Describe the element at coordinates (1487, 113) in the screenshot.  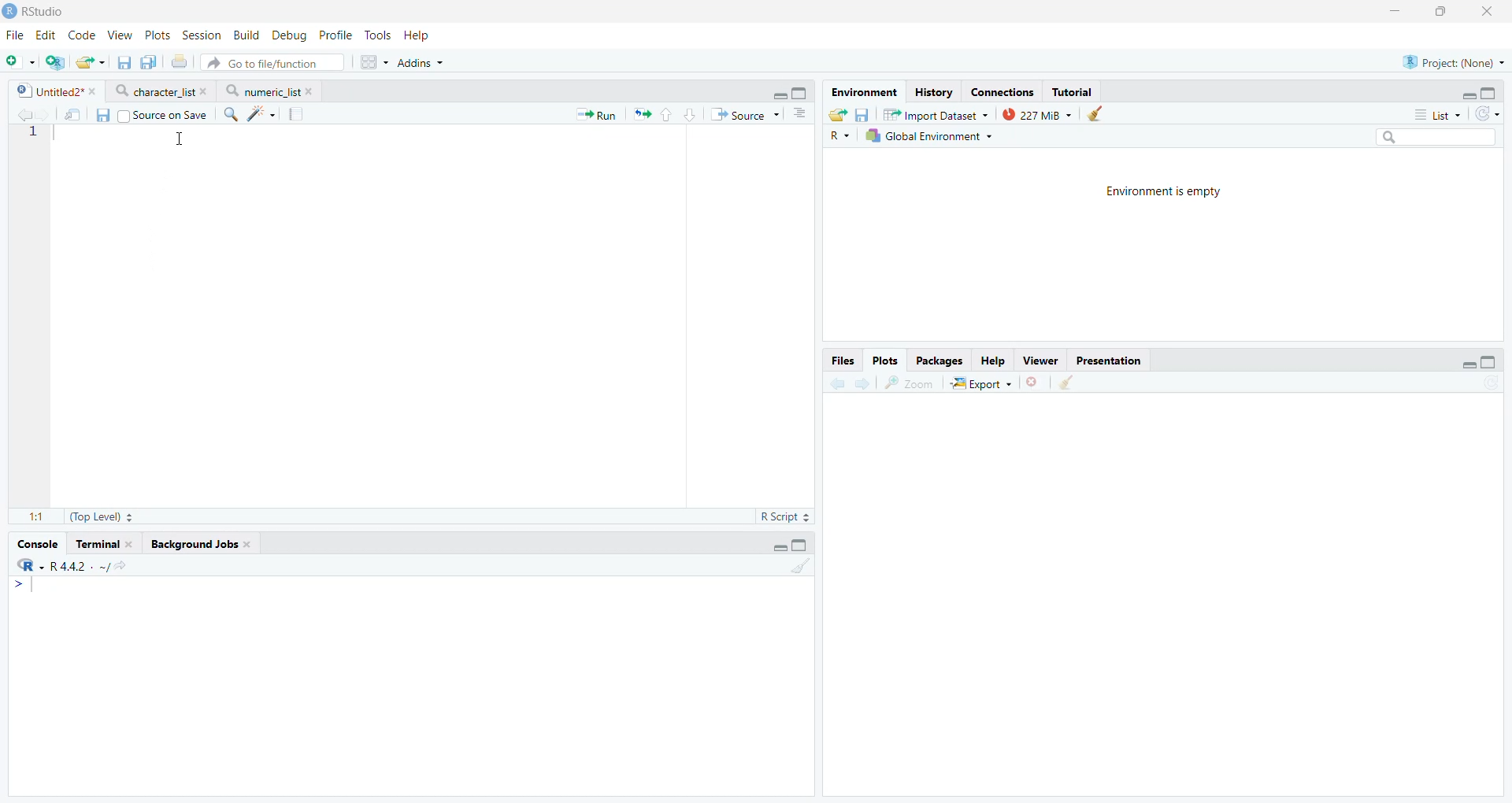
I see `Refresh list` at that location.